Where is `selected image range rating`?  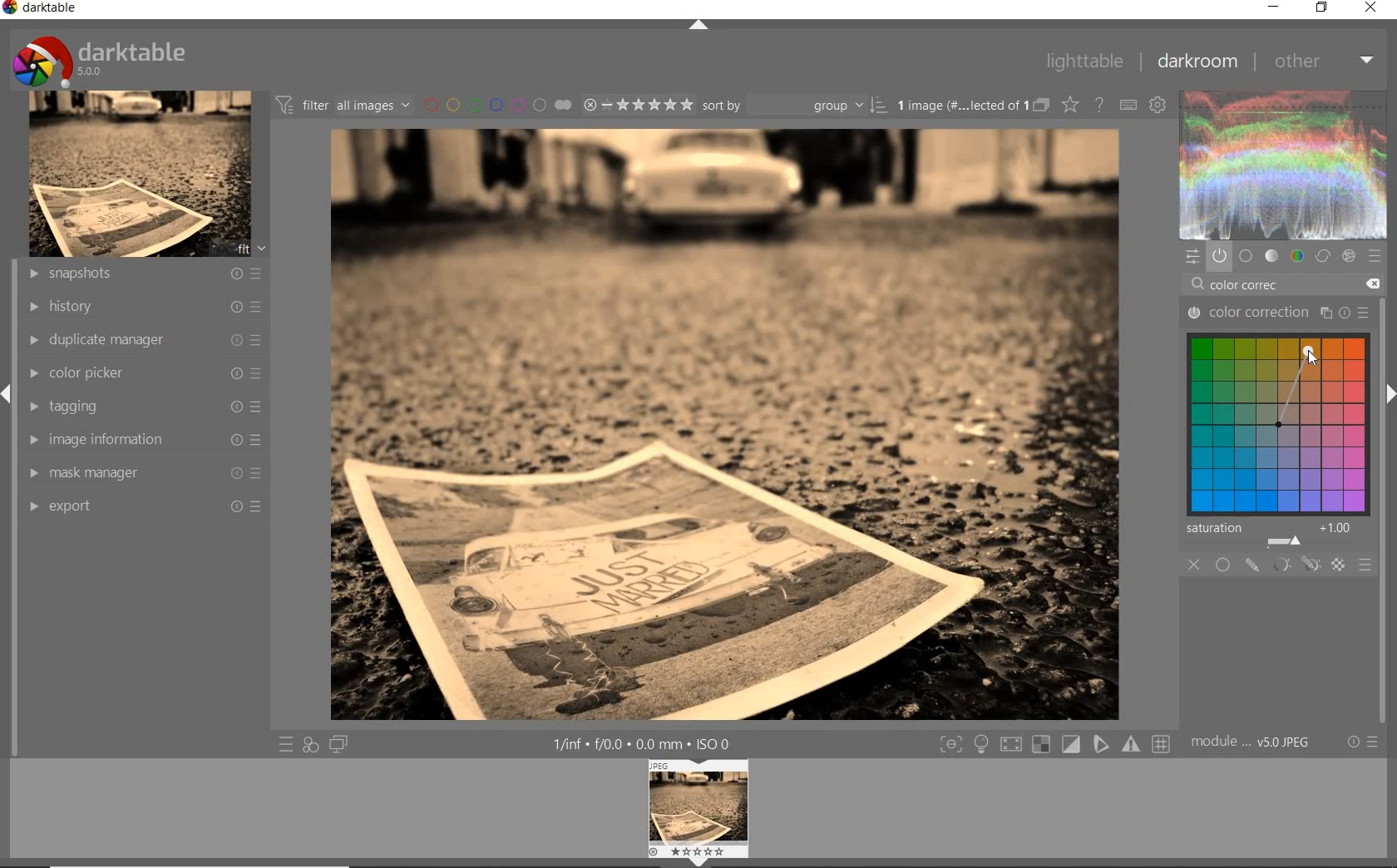
selected image range rating is located at coordinates (635, 105).